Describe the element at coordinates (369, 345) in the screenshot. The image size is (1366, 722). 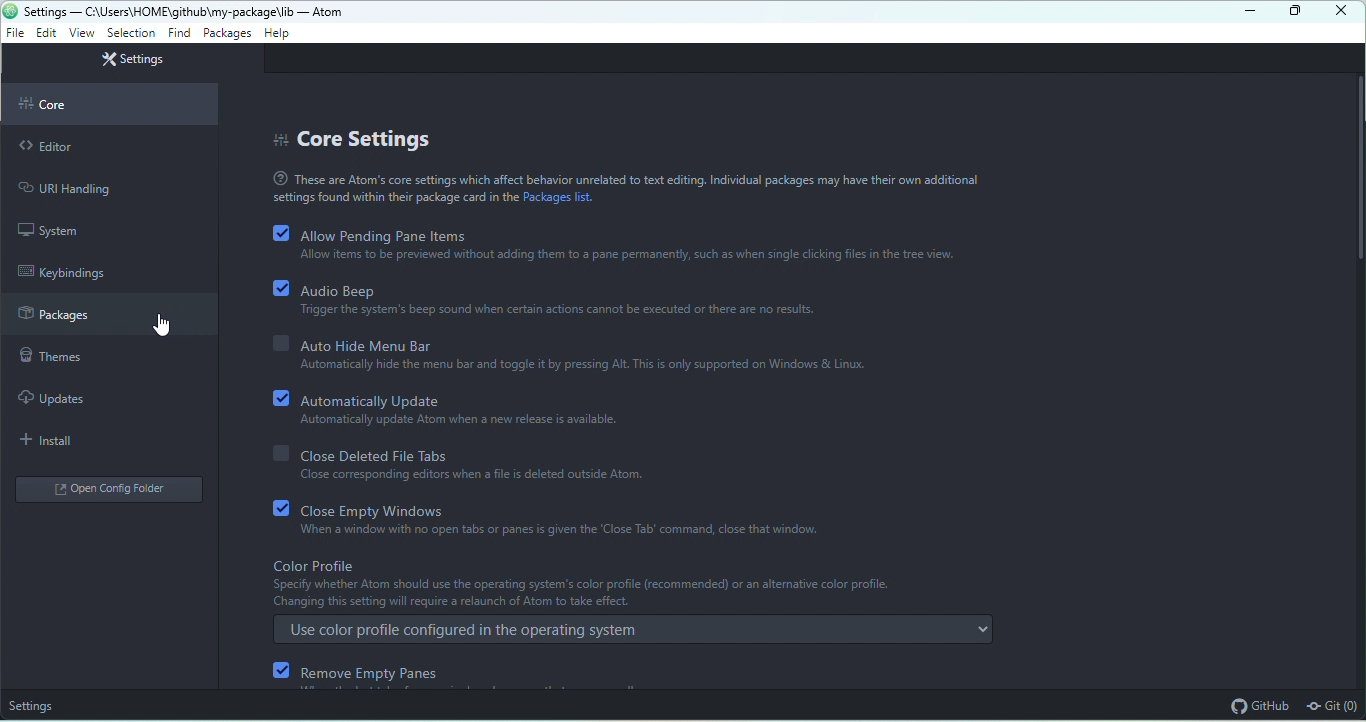
I see `auto hide menu bar` at that location.